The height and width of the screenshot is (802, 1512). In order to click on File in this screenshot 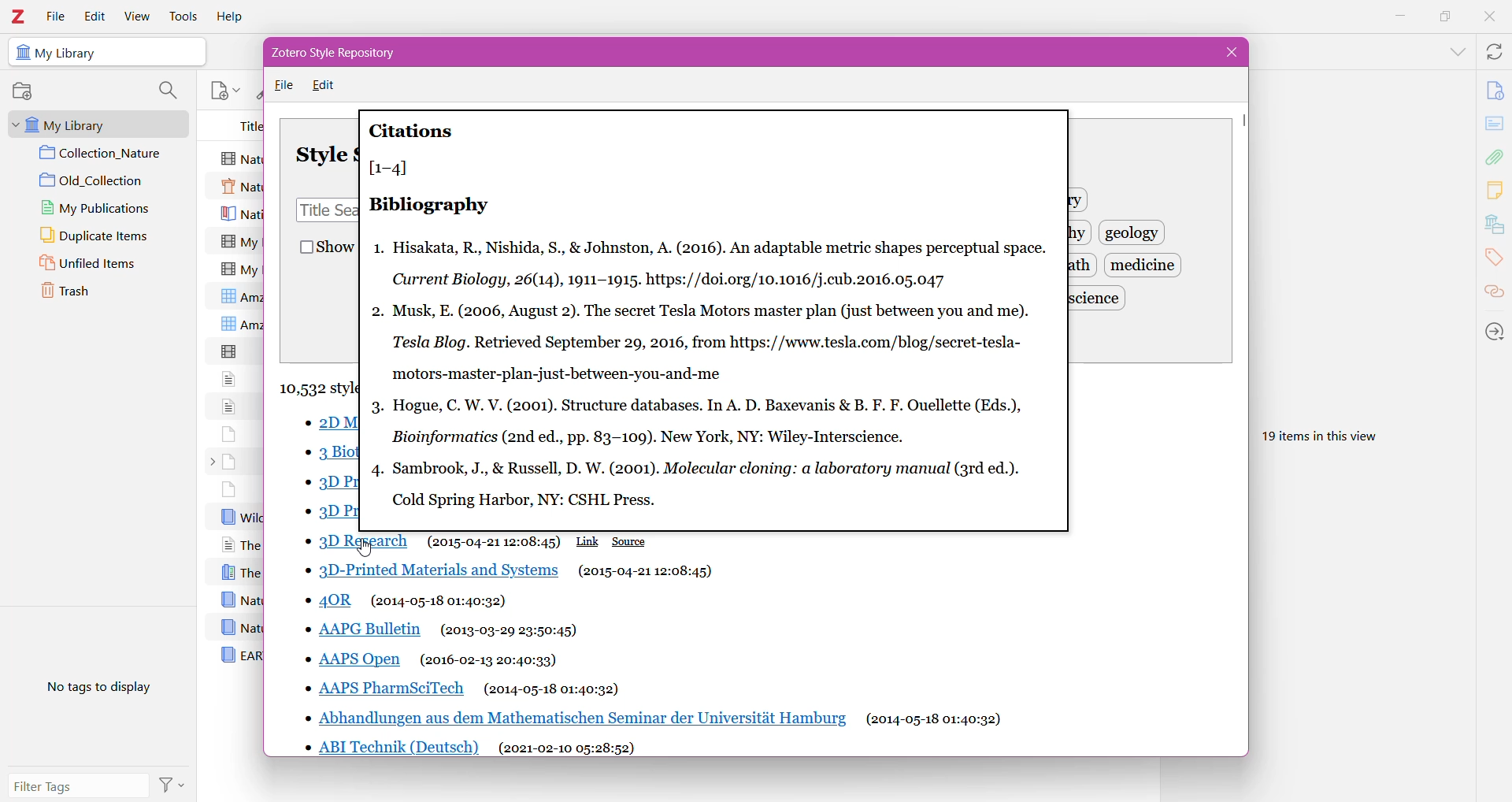, I will do `click(284, 86)`.